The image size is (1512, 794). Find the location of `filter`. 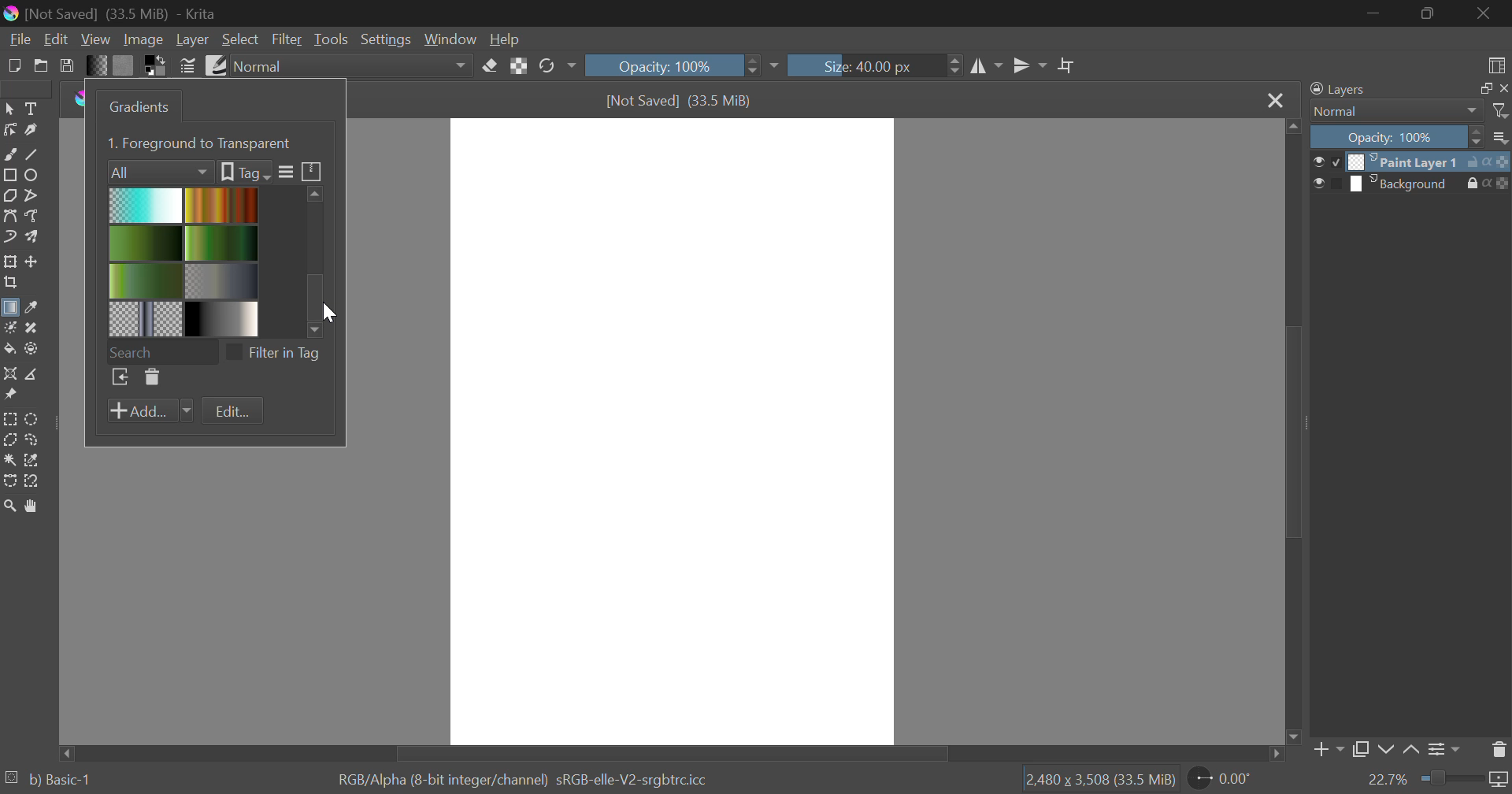

filter is located at coordinates (1502, 111).